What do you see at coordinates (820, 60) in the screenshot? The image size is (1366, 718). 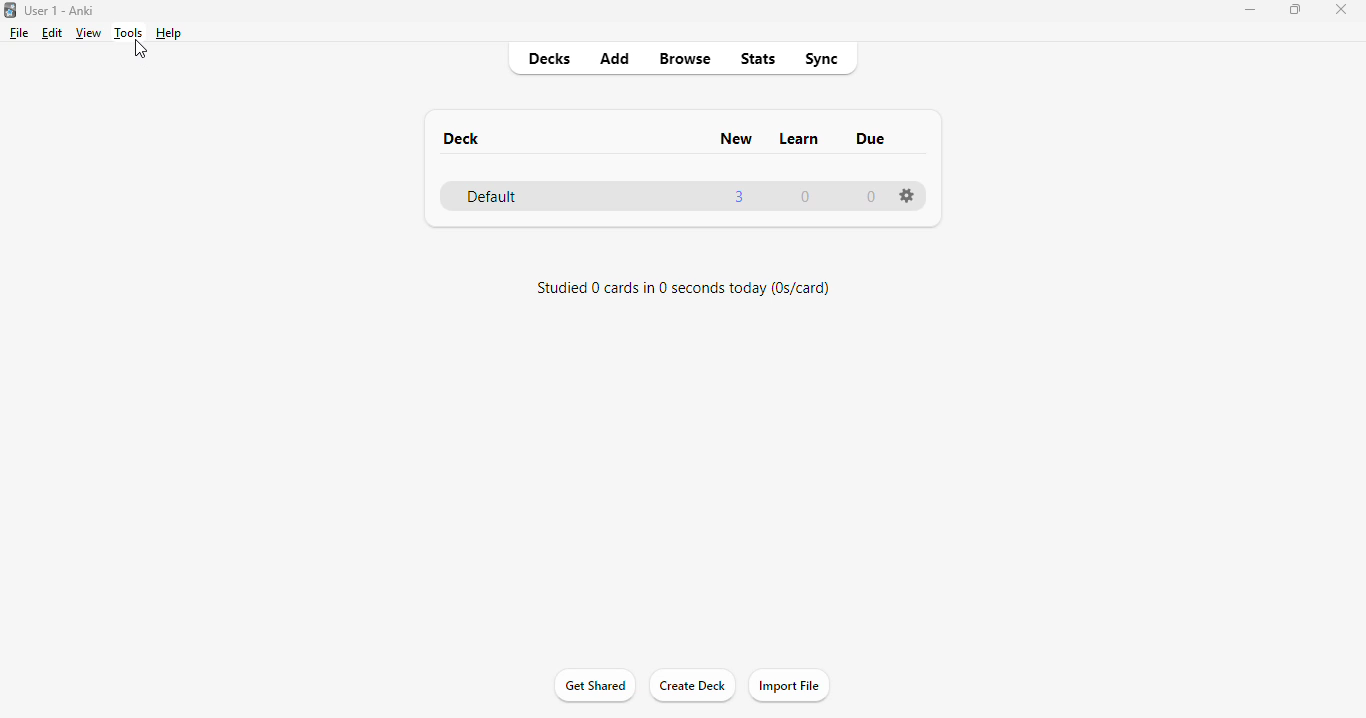 I see `sync` at bounding box center [820, 60].